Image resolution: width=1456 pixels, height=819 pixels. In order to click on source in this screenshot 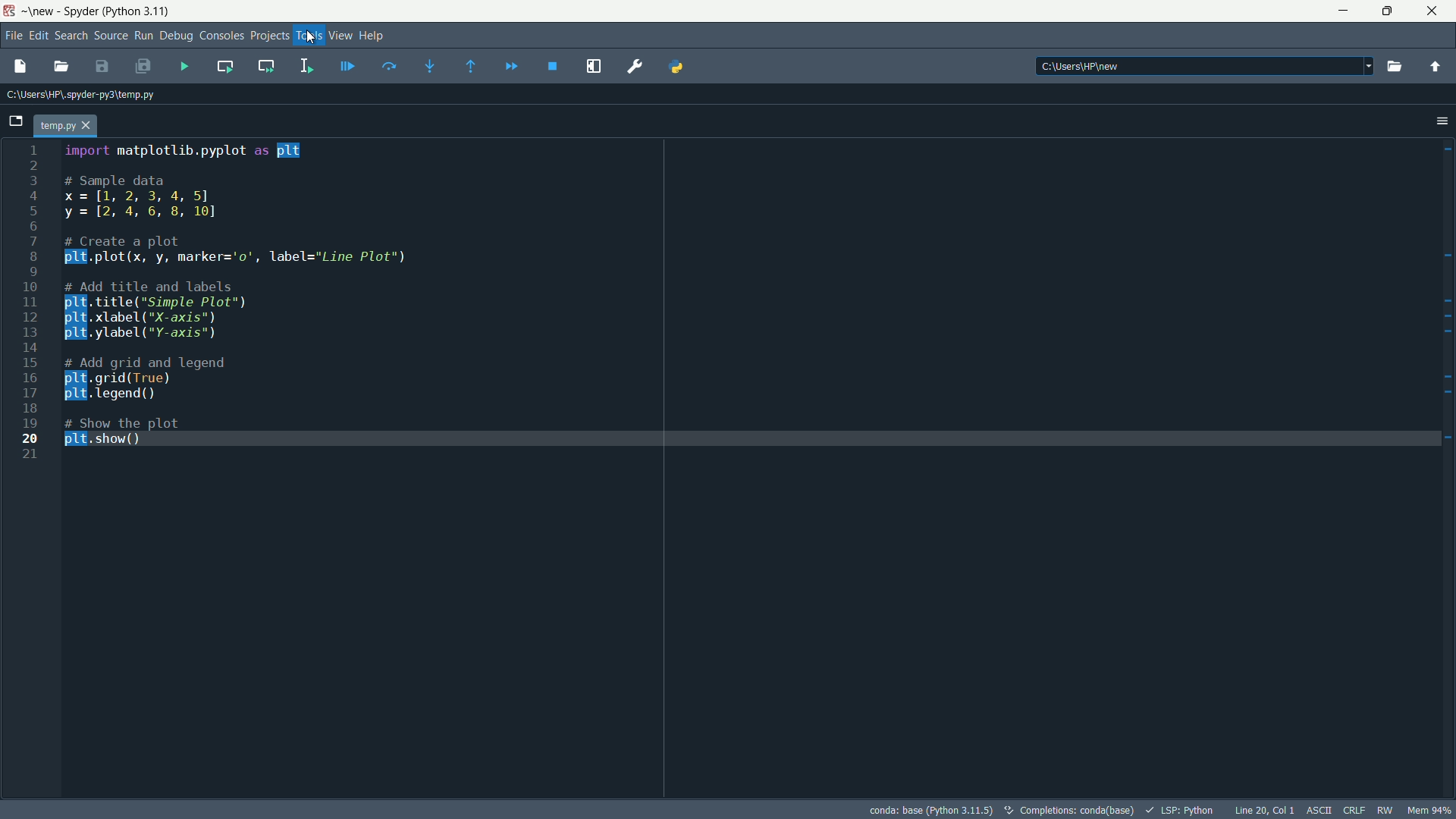, I will do `click(111, 34)`.